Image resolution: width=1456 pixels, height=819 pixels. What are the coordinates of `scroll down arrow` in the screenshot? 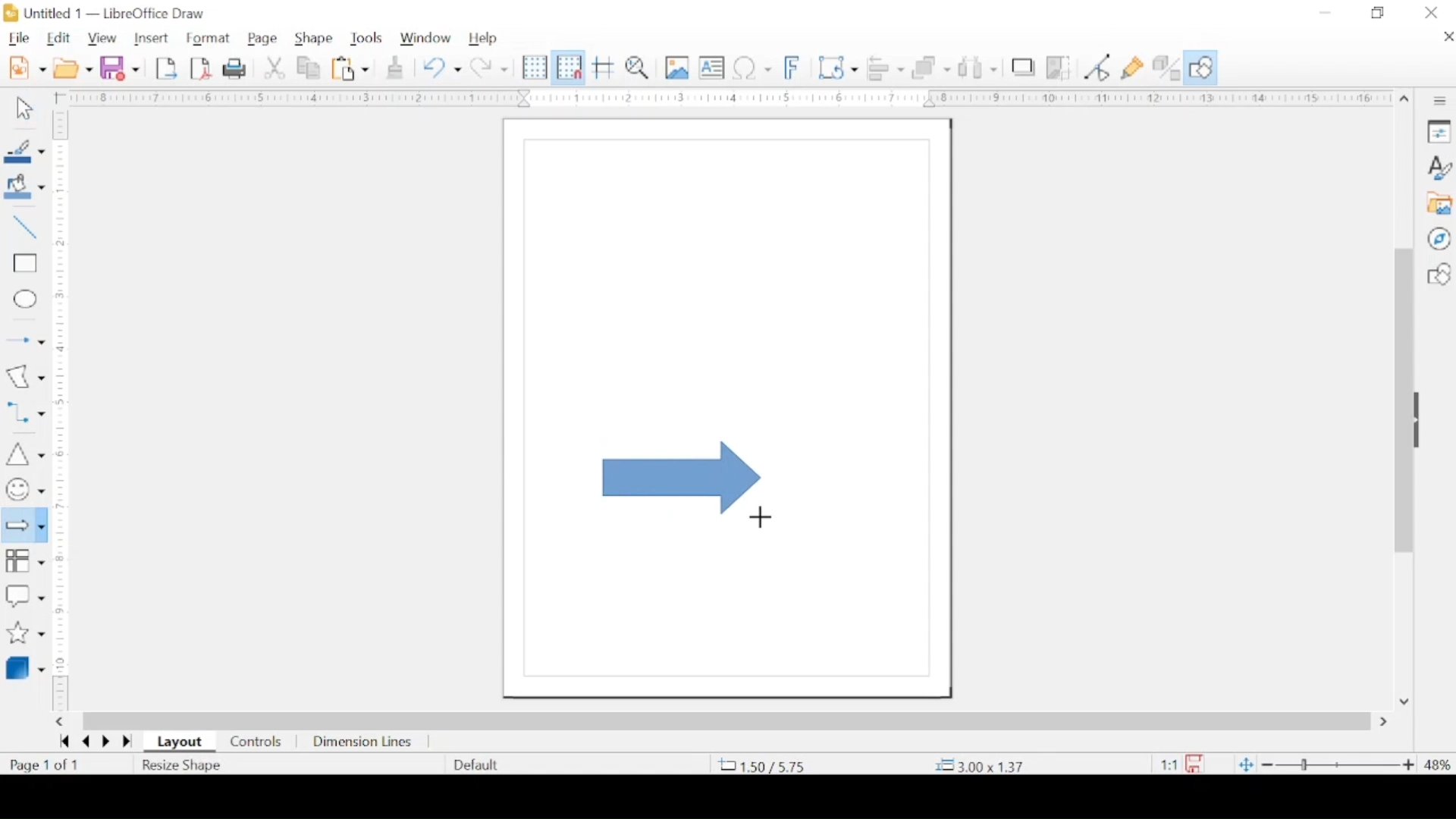 It's located at (1404, 702).